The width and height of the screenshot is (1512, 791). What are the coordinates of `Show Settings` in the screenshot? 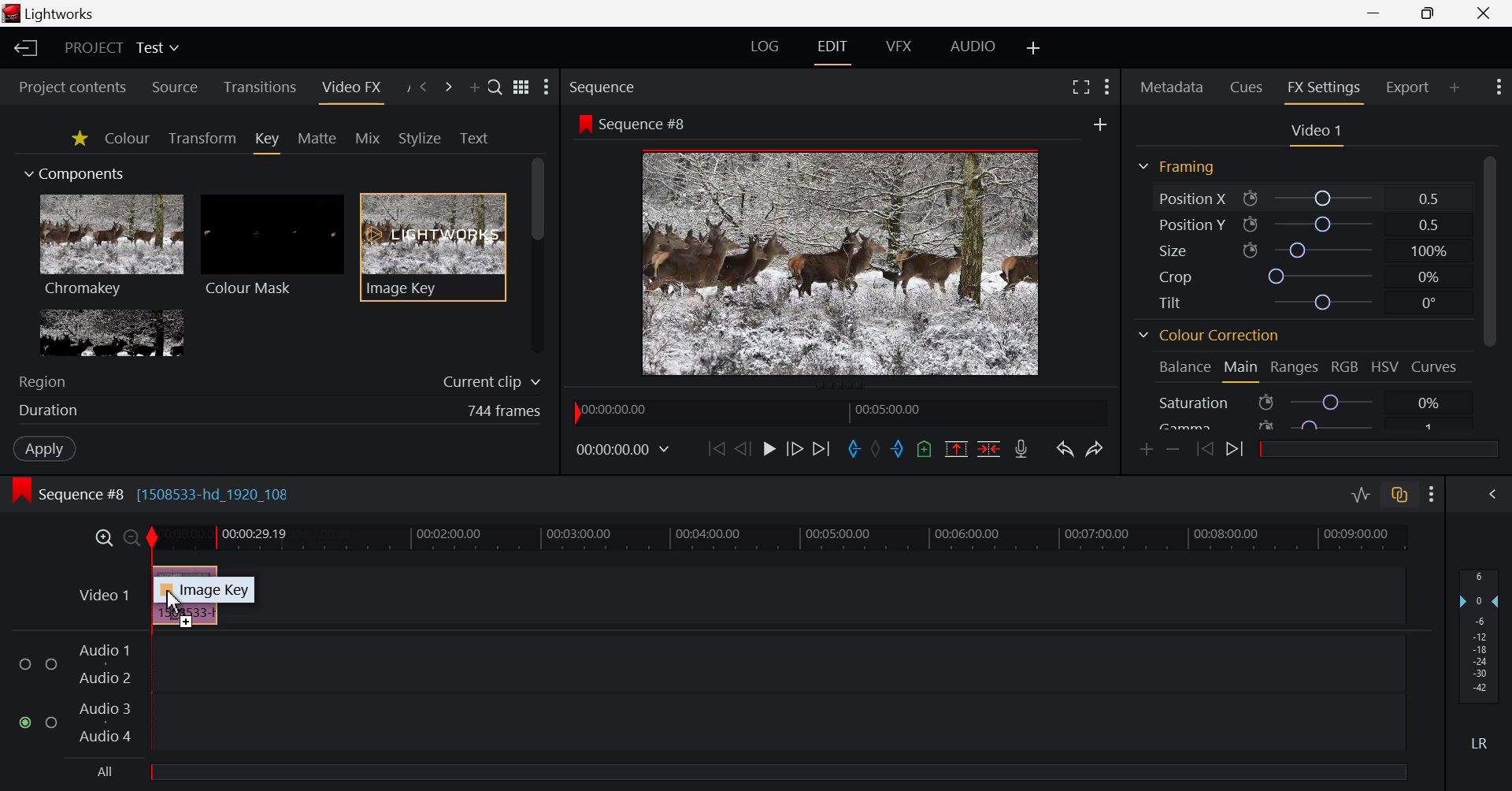 It's located at (550, 91).